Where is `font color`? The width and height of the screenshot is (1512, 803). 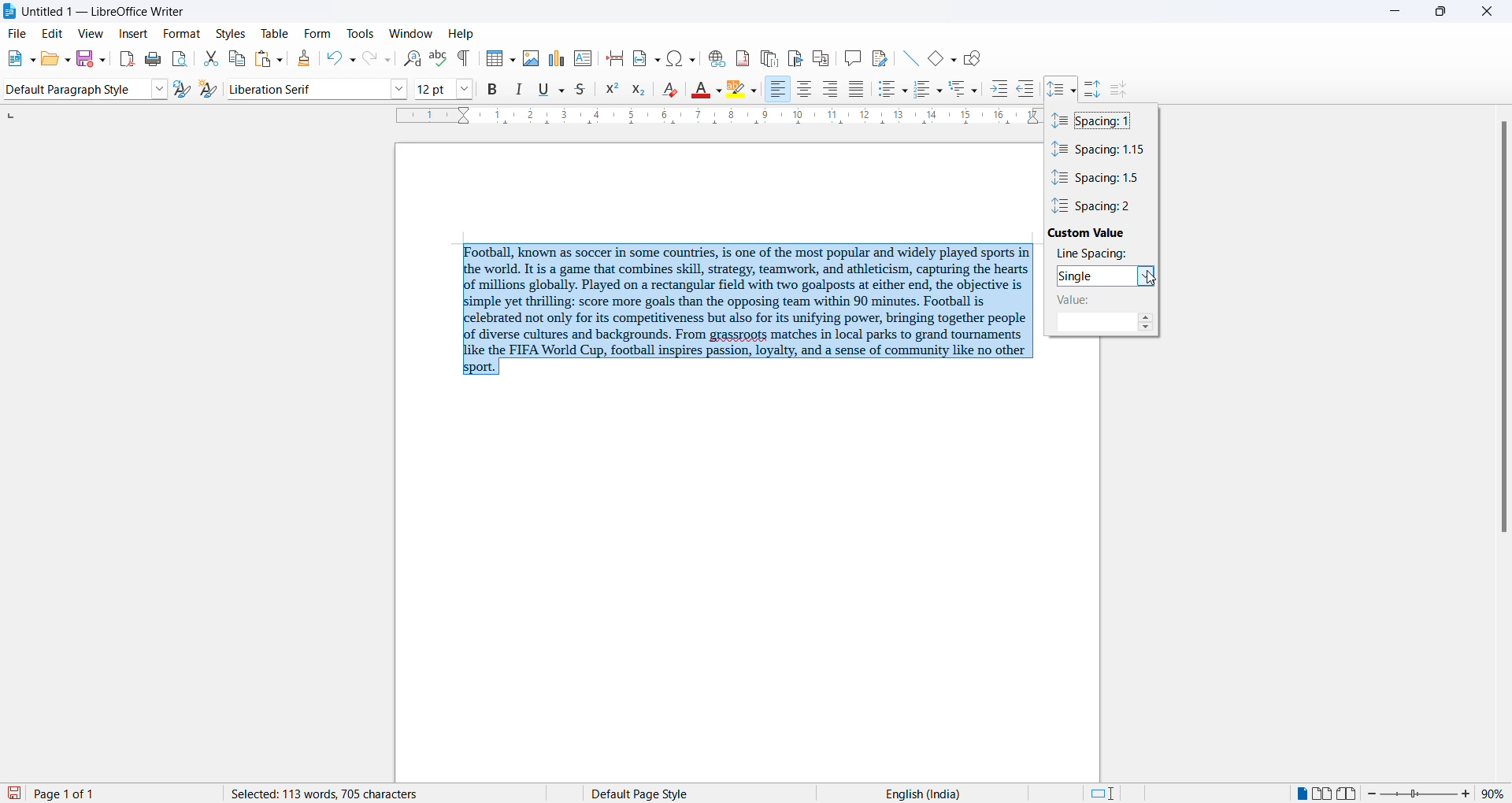 font color is located at coordinates (701, 89).